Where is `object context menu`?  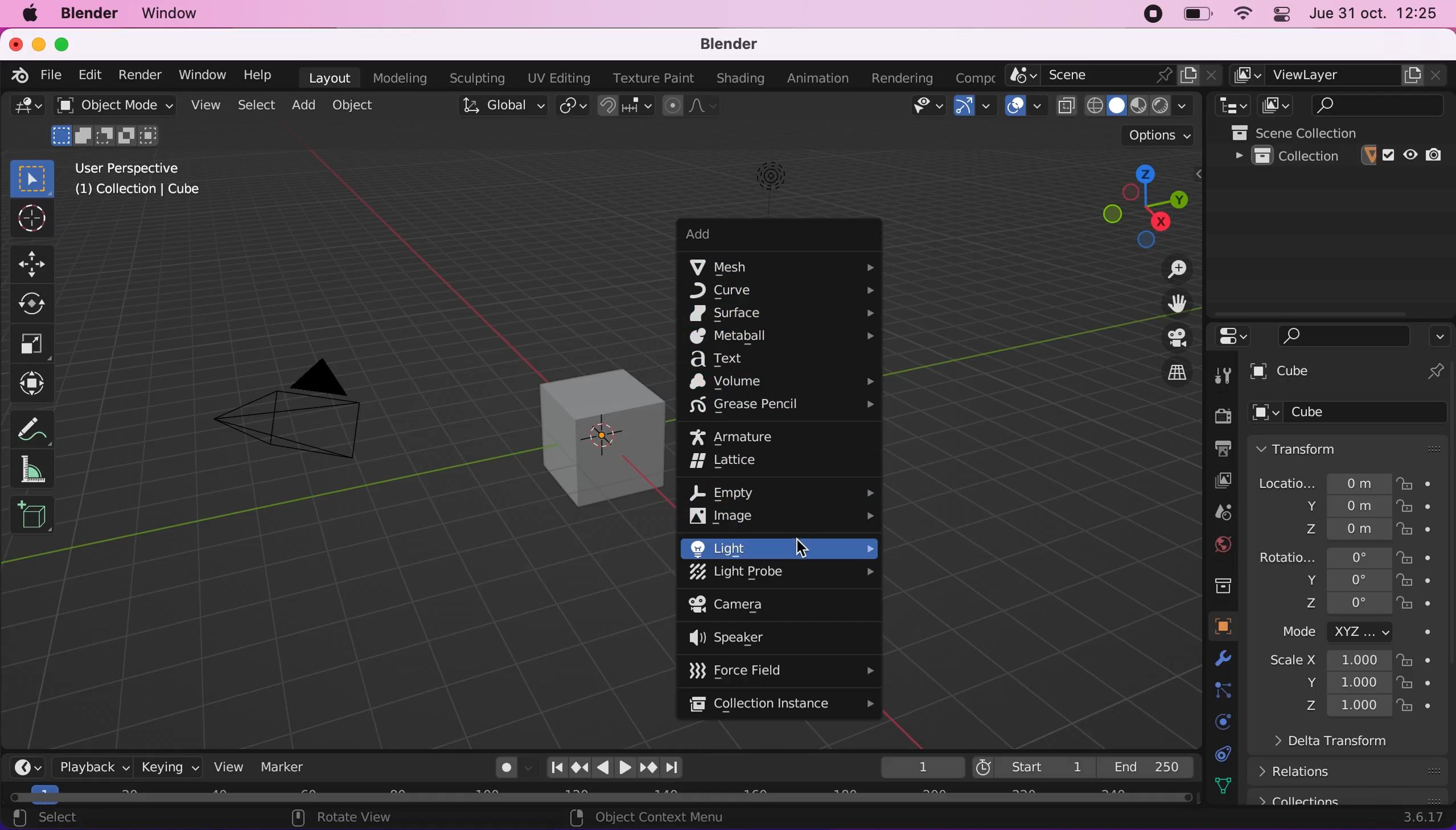 object context menu is located at coordinates (642, 817).